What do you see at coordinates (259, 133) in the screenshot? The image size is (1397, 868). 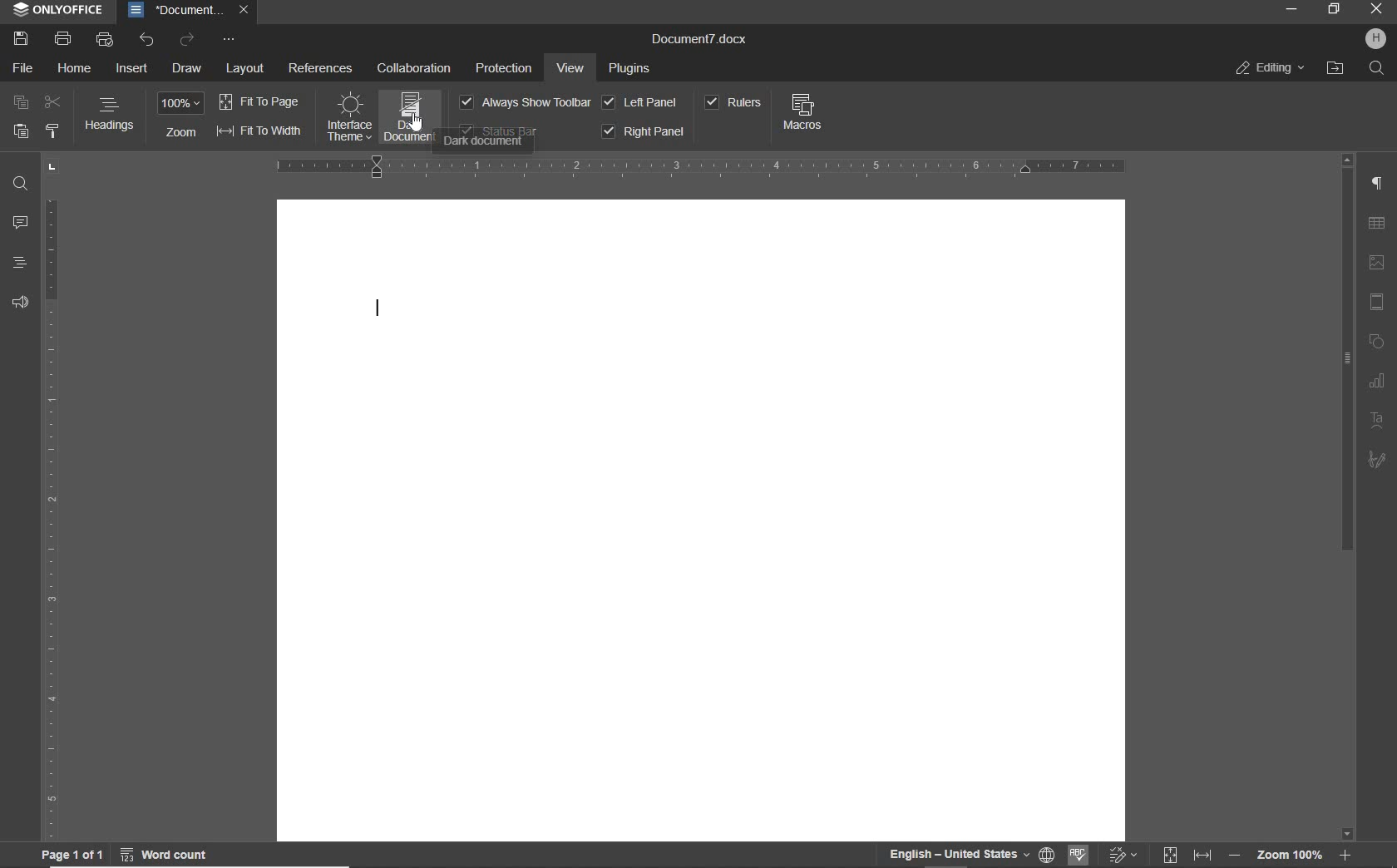 I see `FIT TO WIDTH` at bounding box center [259, 133].